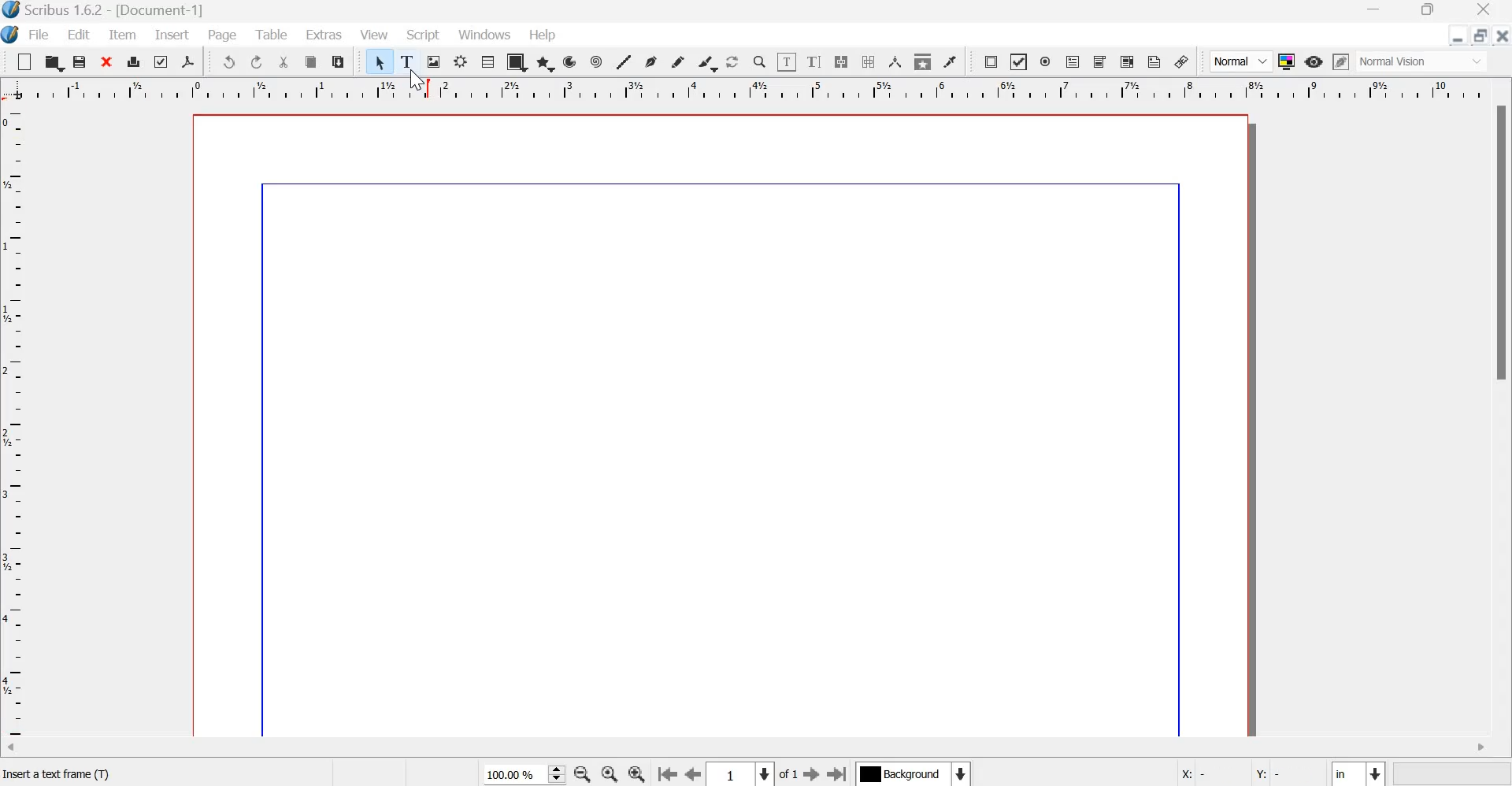 The height and width of the screenshot is (786, 1512). Describe the element at coordinates (723, 423) in the screenshot. I see `page` at that location.